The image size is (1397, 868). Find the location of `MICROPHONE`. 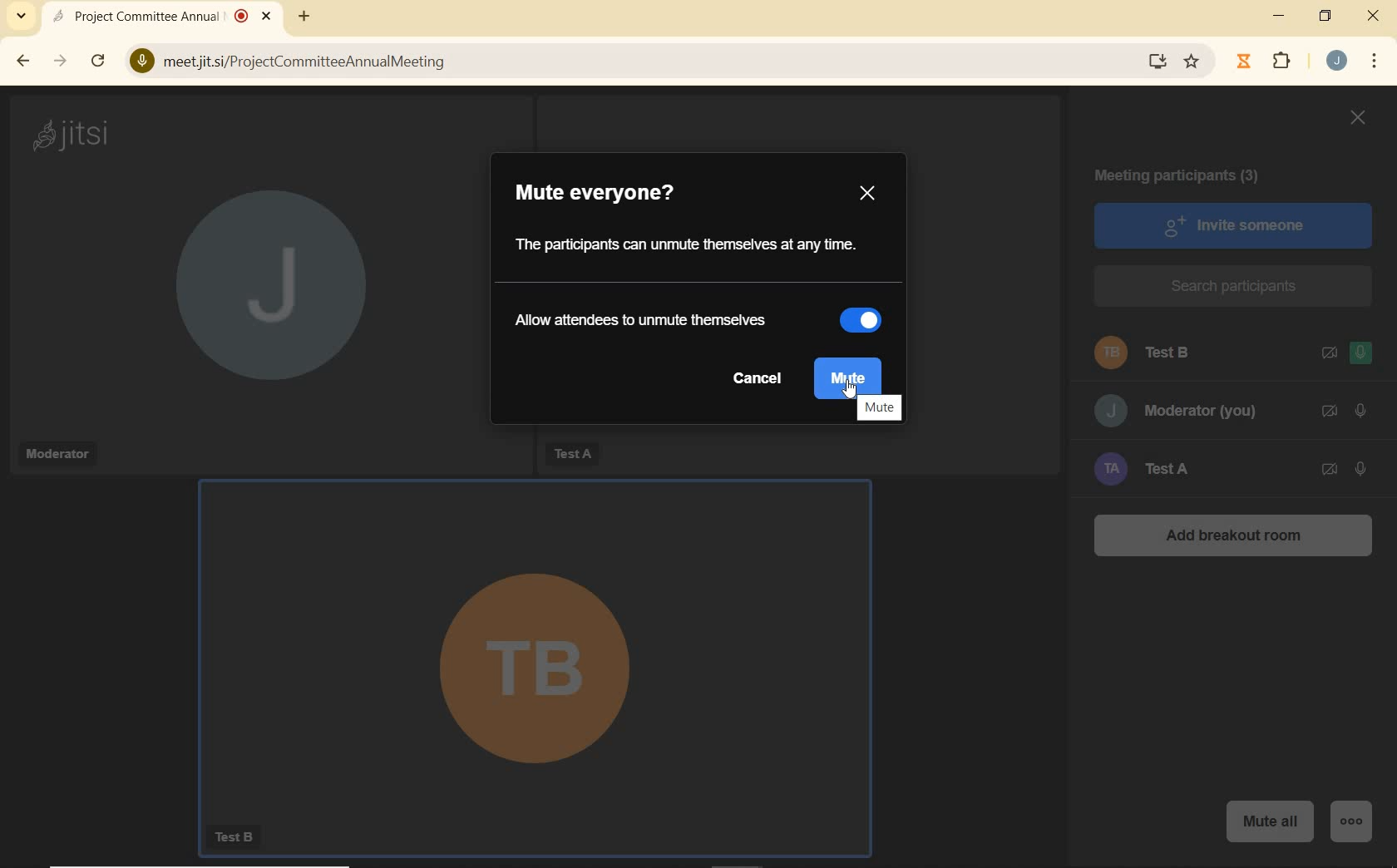

MICROPHONE is located at coordinates (1362, 355).